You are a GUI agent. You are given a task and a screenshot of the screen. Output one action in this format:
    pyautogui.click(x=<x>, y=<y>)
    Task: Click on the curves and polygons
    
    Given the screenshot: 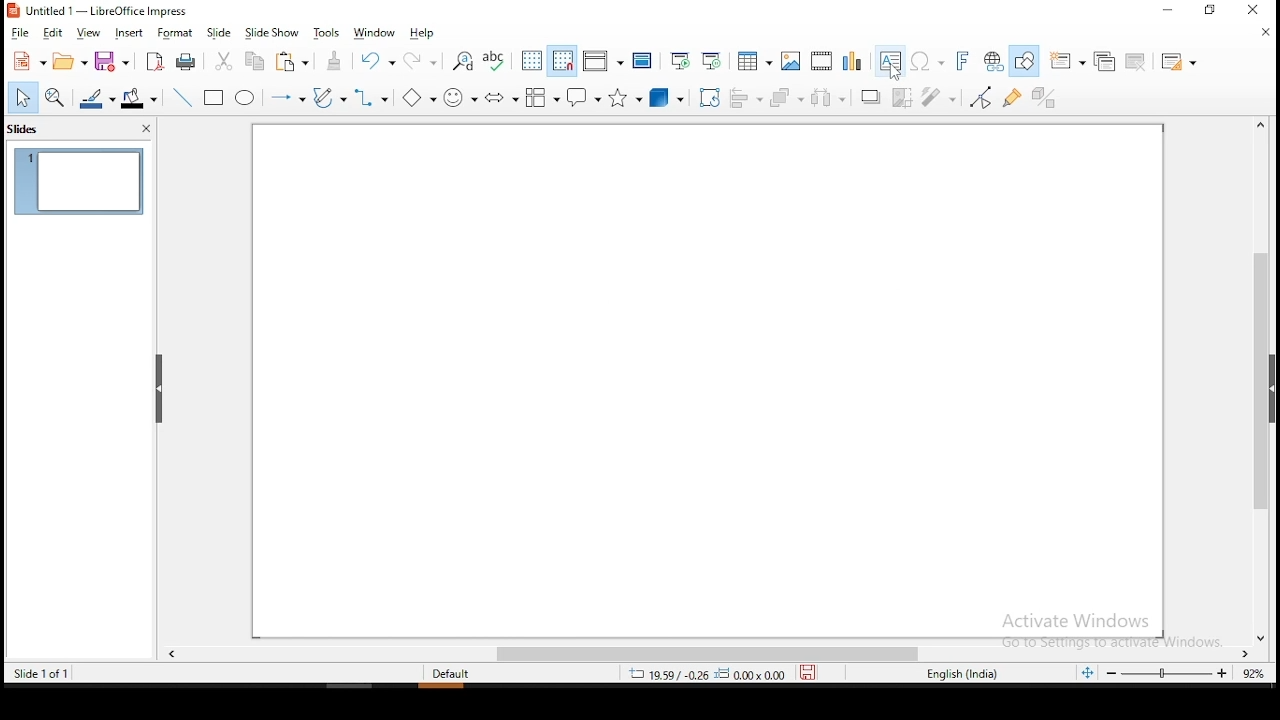 What is the action you would take?
    pyautogui.click(x=327, y=97)
    